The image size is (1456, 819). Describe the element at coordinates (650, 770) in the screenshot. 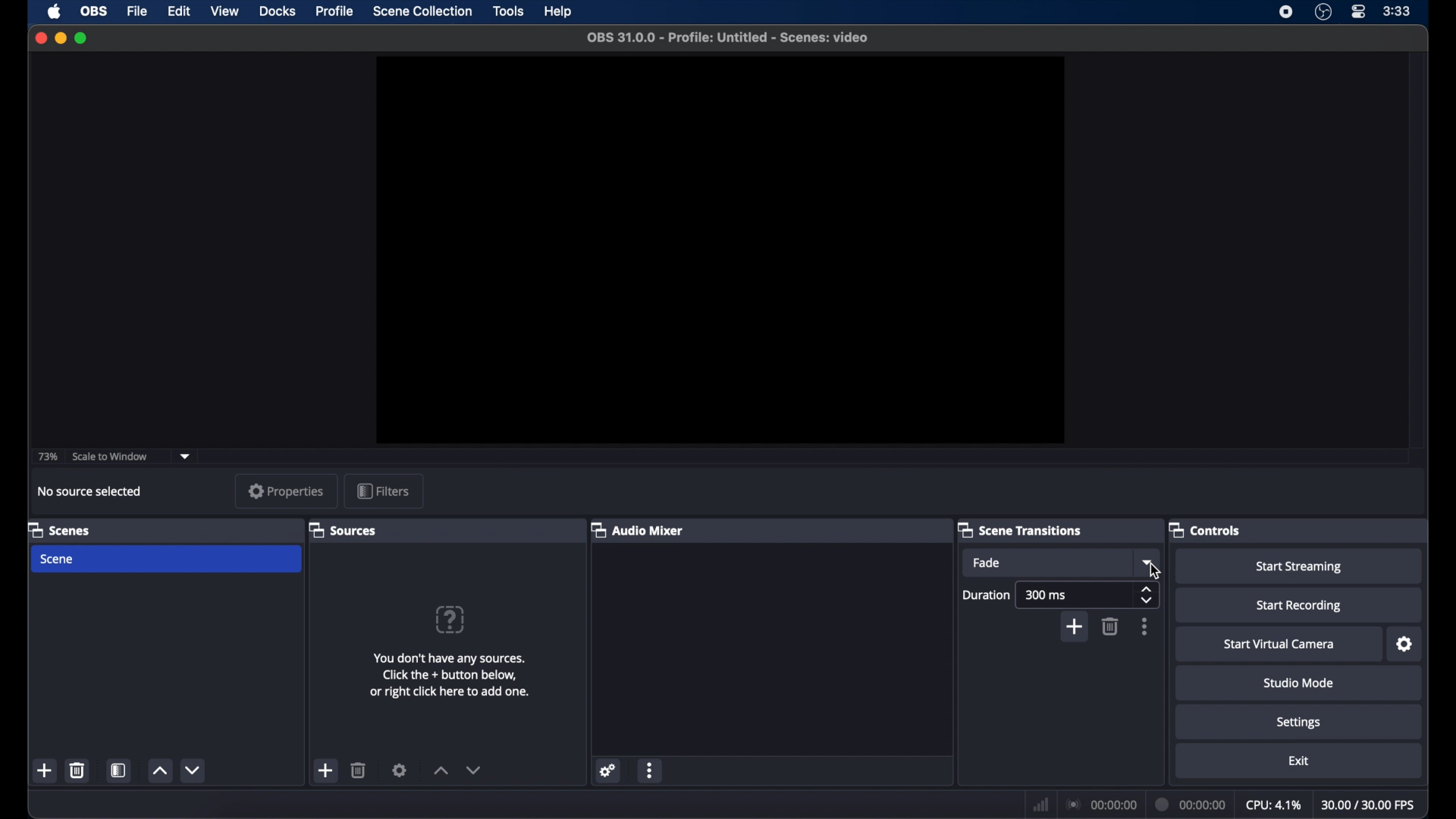

I see `more options` at that location.